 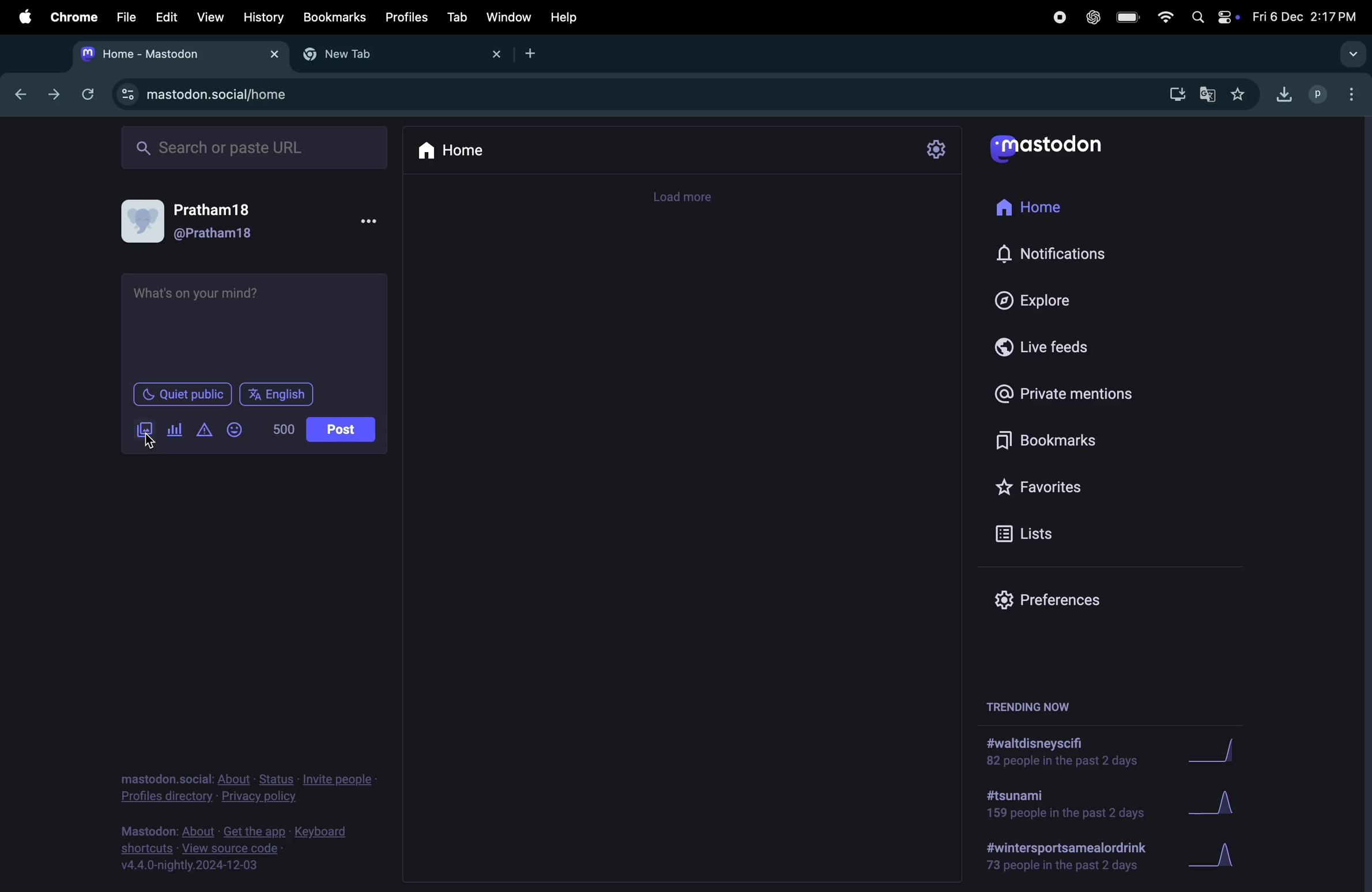 What do you see at coordinates (1045, 212) in the screenshot?
I see `home` at bounding box center [1045, 212].